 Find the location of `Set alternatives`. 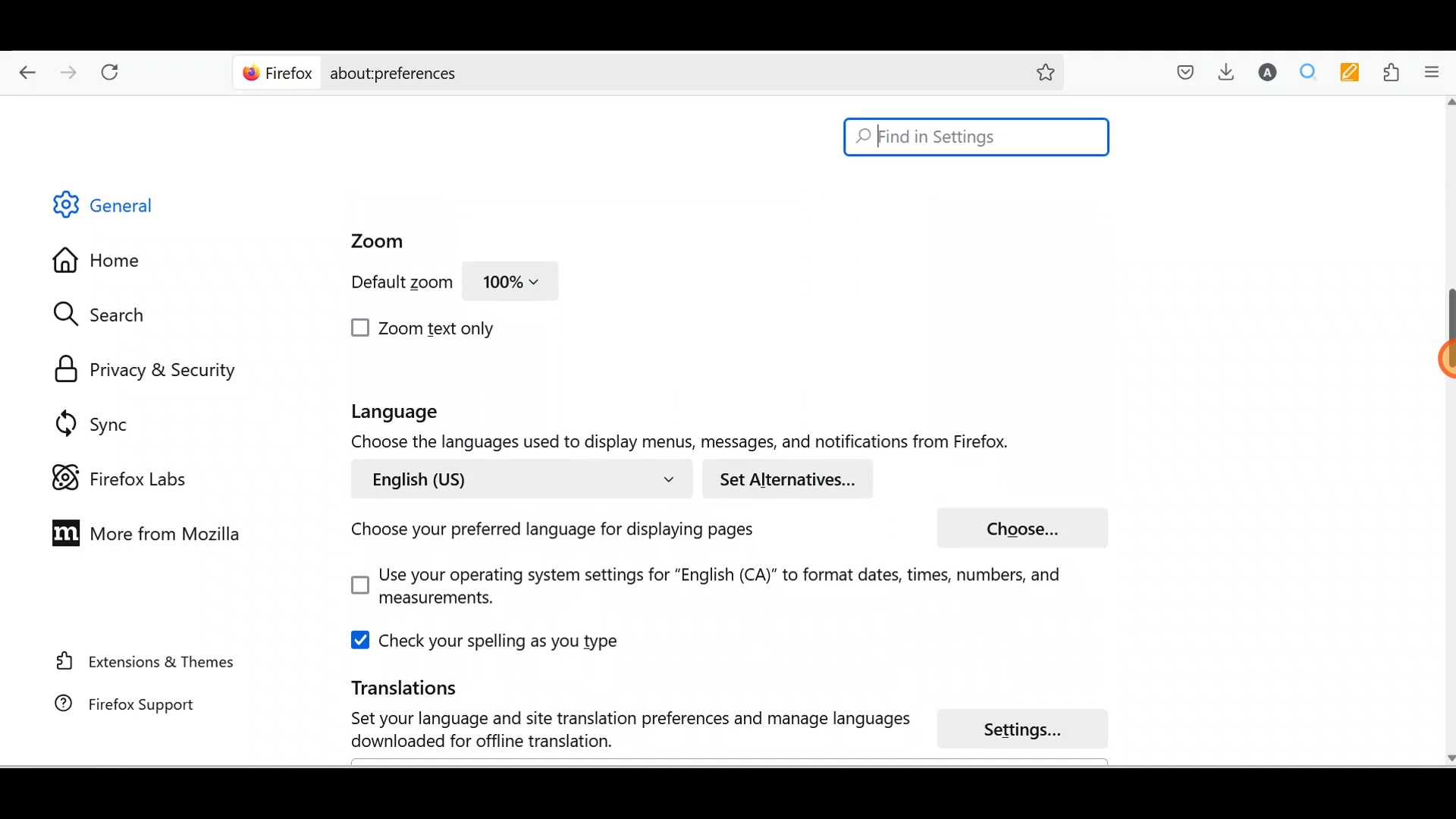

Set alternatives is located at coordinates (793, 479).